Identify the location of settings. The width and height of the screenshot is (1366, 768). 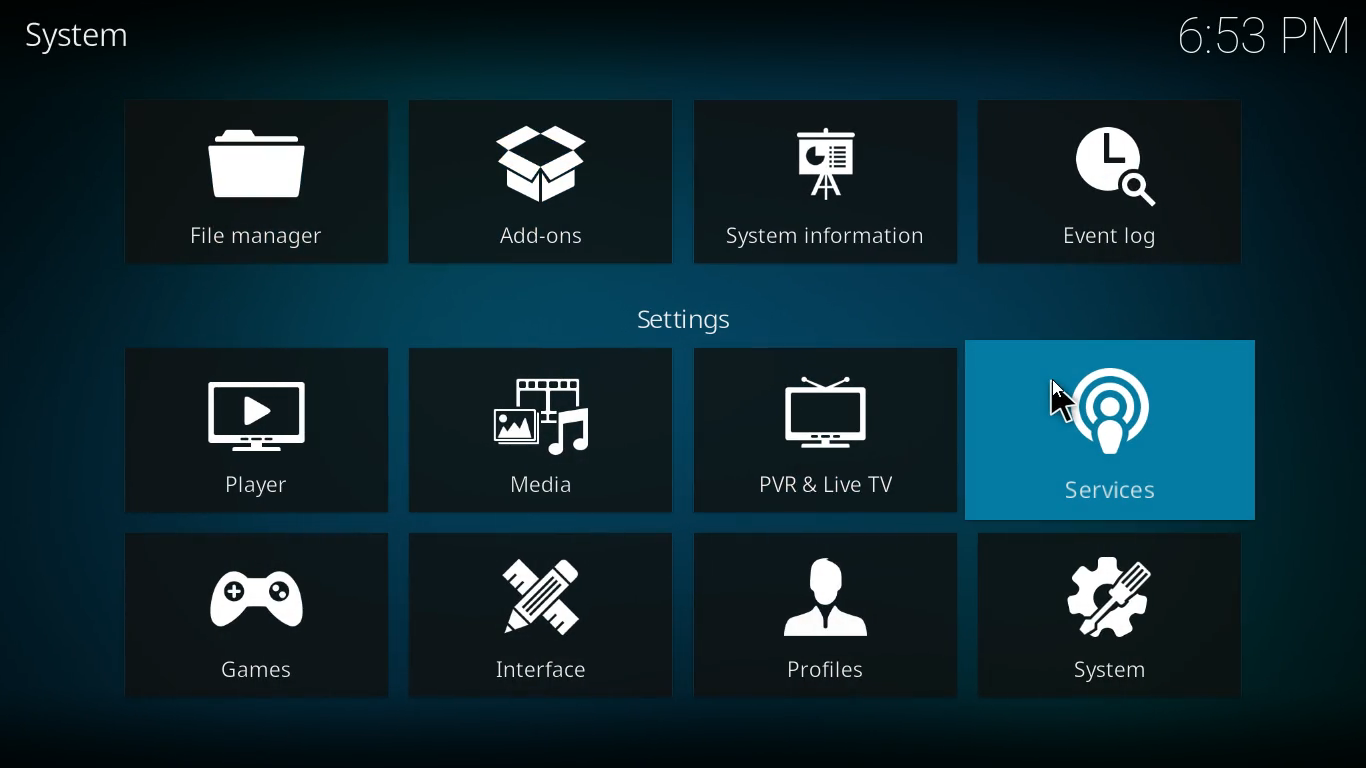
(692, 320).